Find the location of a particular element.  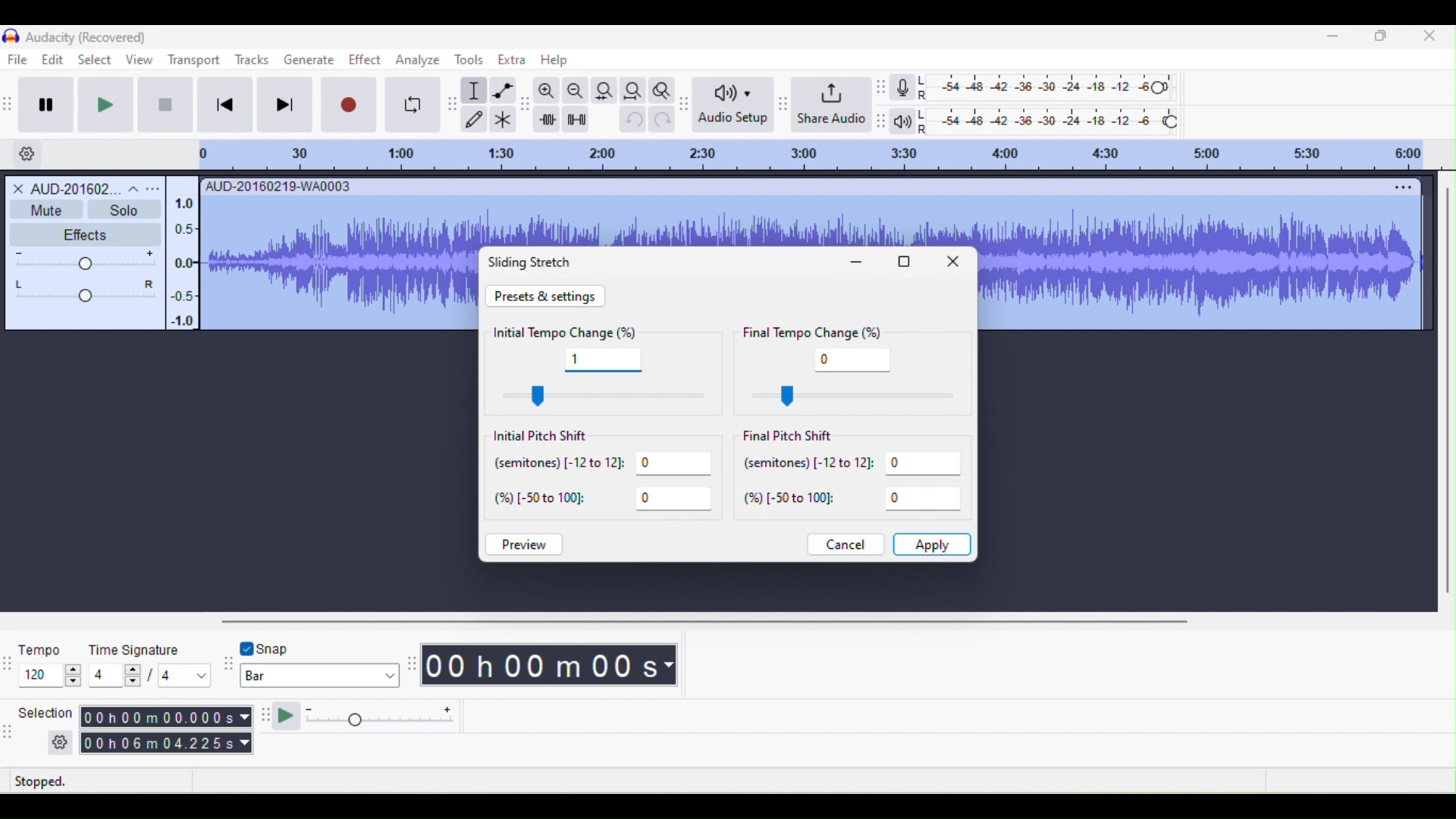

audacity tools toolbar is located at coordinates (453, 102).